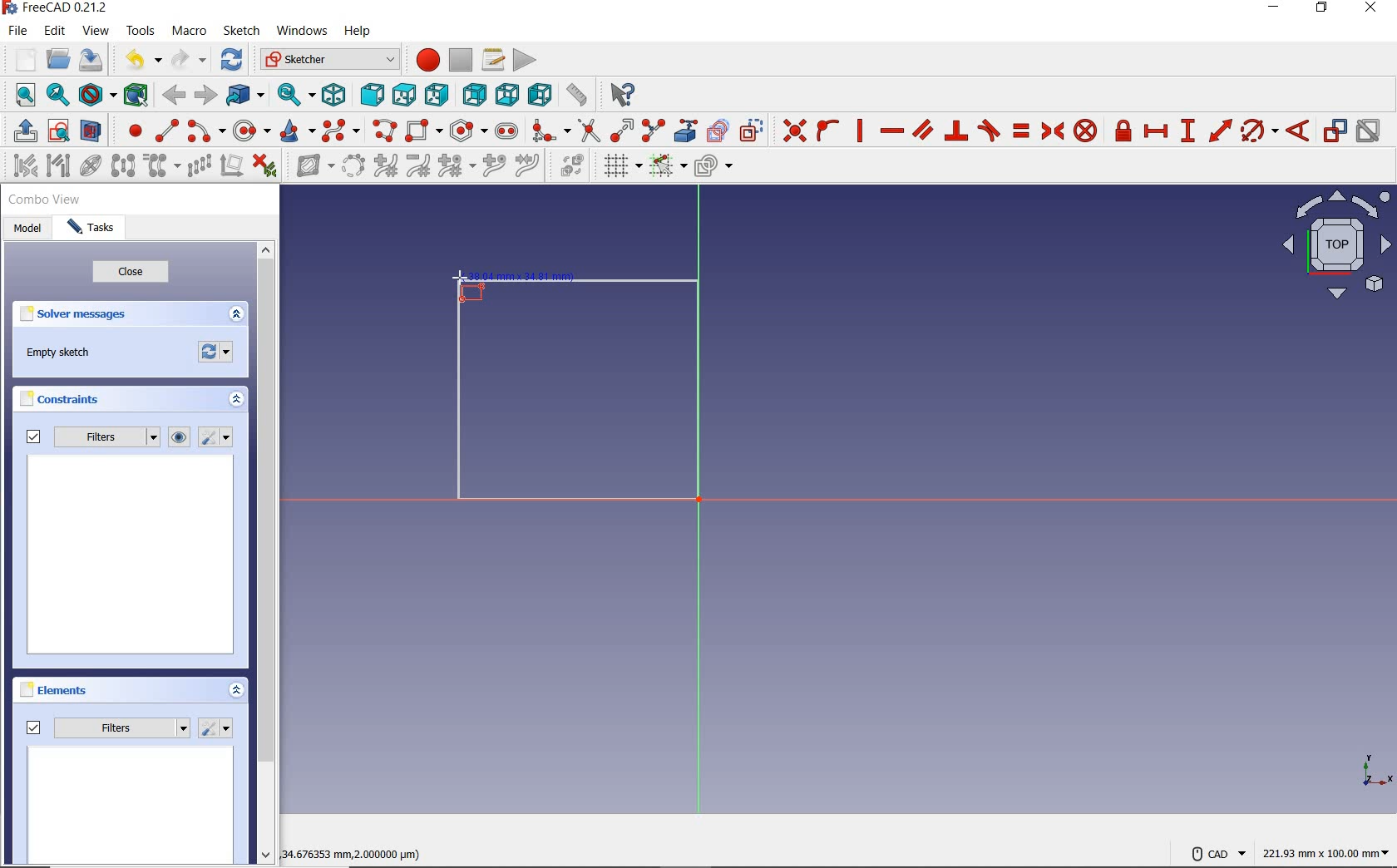 This screenshot has width=1397, height=868. Describe the element at coordinates (751, 129) in the screenshot. I see `toggle construction geometry` at that location.